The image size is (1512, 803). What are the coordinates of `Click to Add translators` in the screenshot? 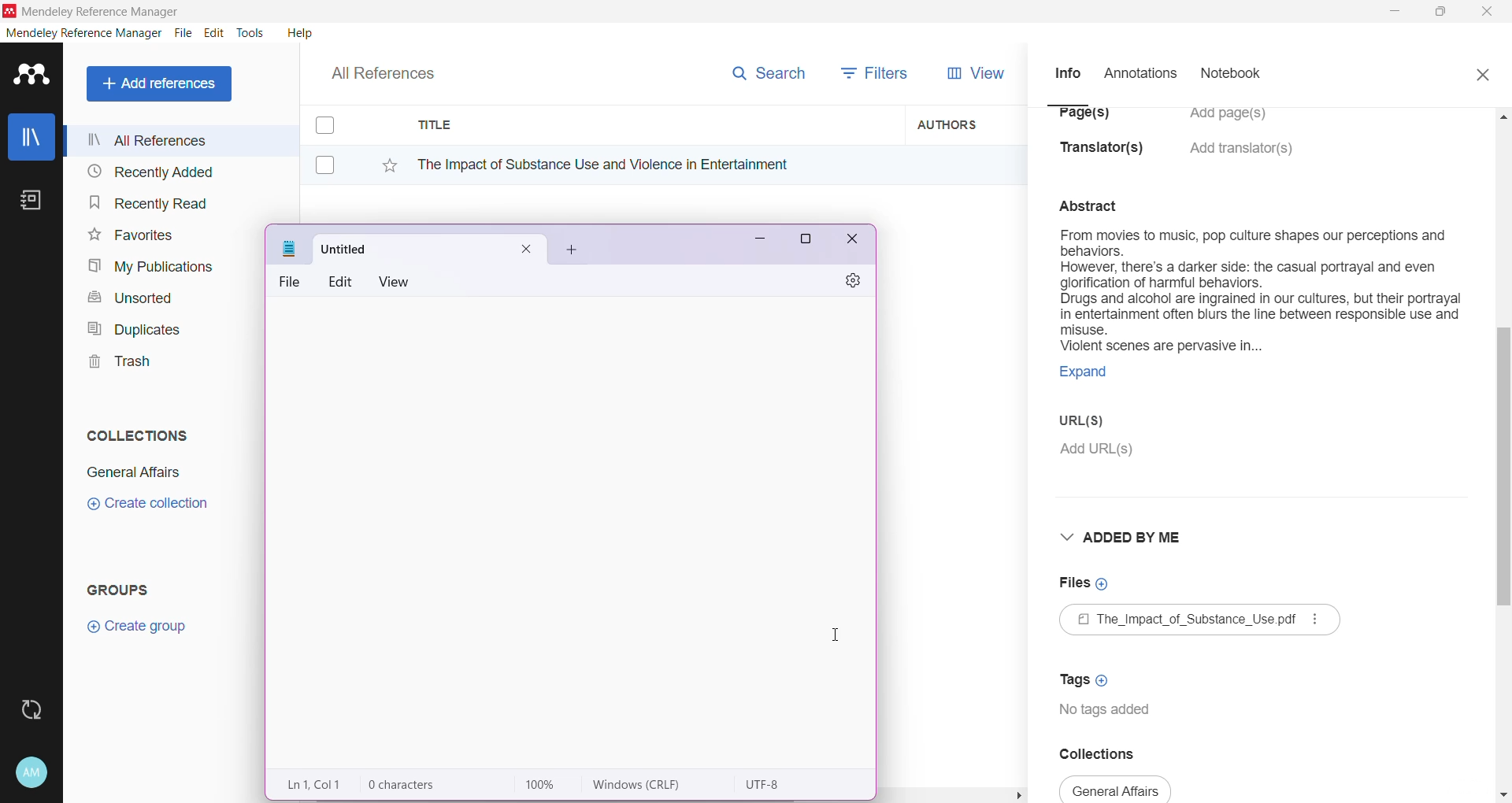 It's located at (1243, 157).